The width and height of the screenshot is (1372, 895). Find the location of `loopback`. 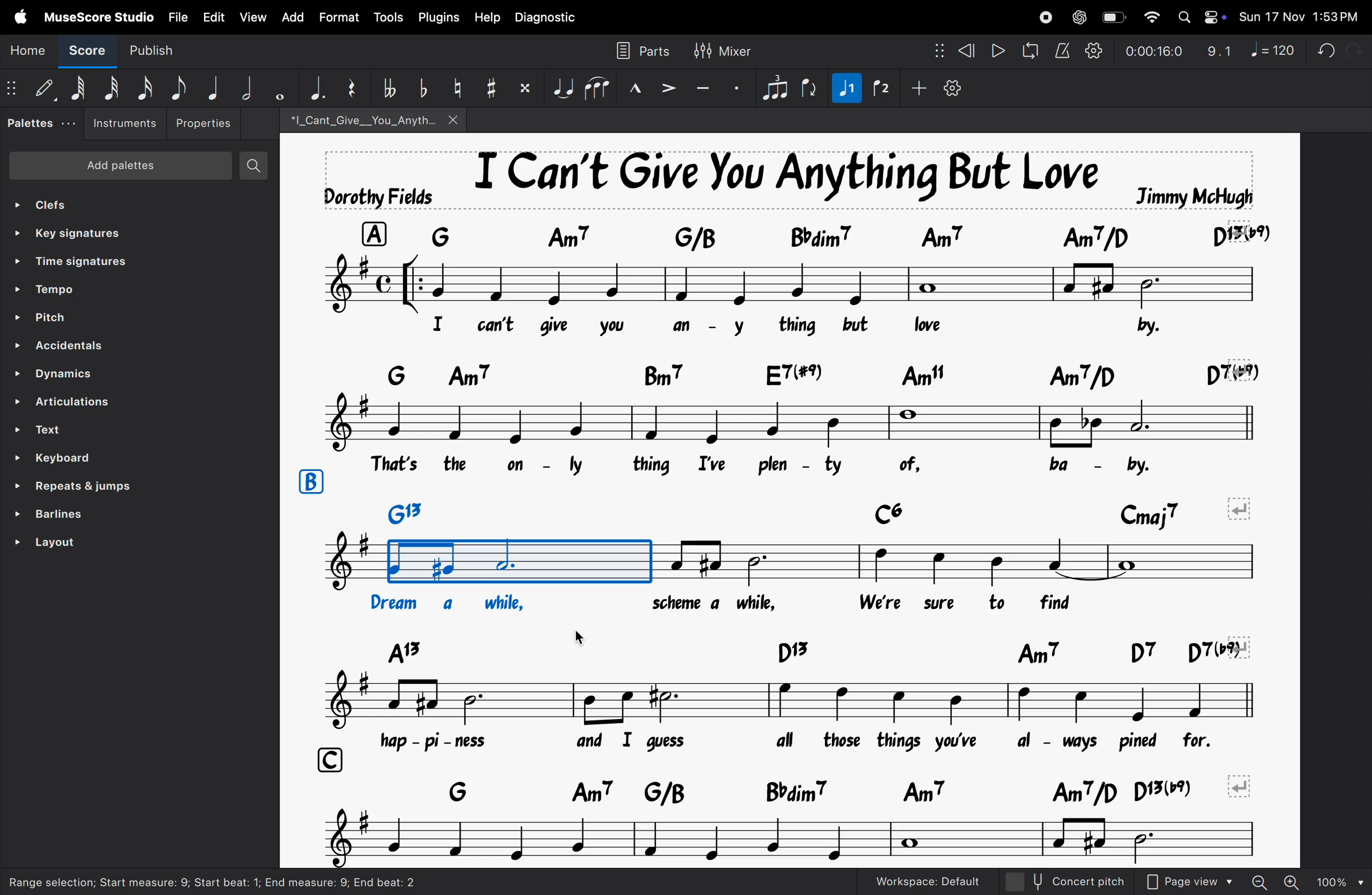

loopback is located at coordinates (1030, 50).